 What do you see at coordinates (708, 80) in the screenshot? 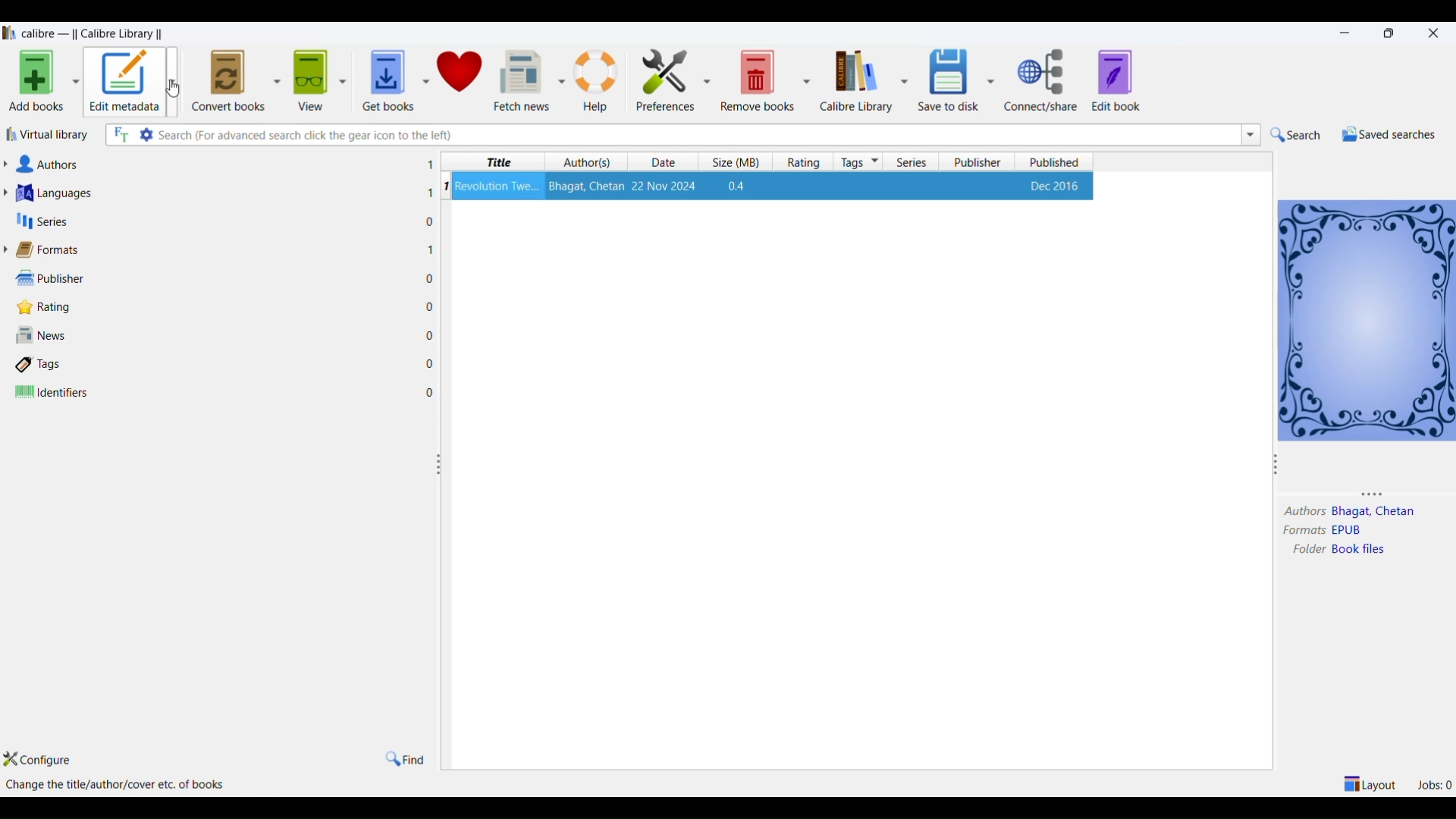
I see `preferences options dropdown button` at bounding box center [708, 80].